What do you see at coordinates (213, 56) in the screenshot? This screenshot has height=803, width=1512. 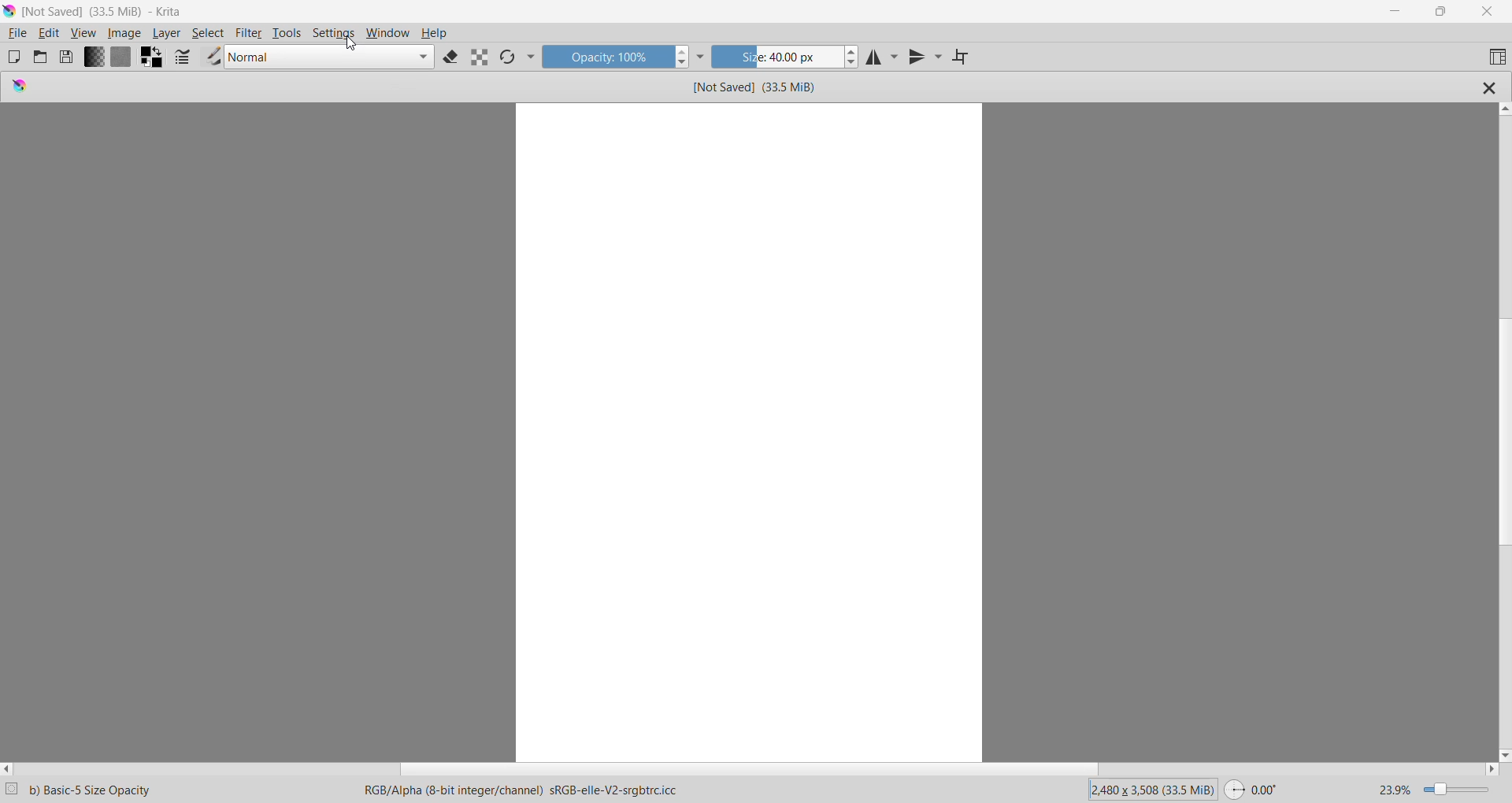 I see `Choose brush preset` at bounding box center [213, 56].